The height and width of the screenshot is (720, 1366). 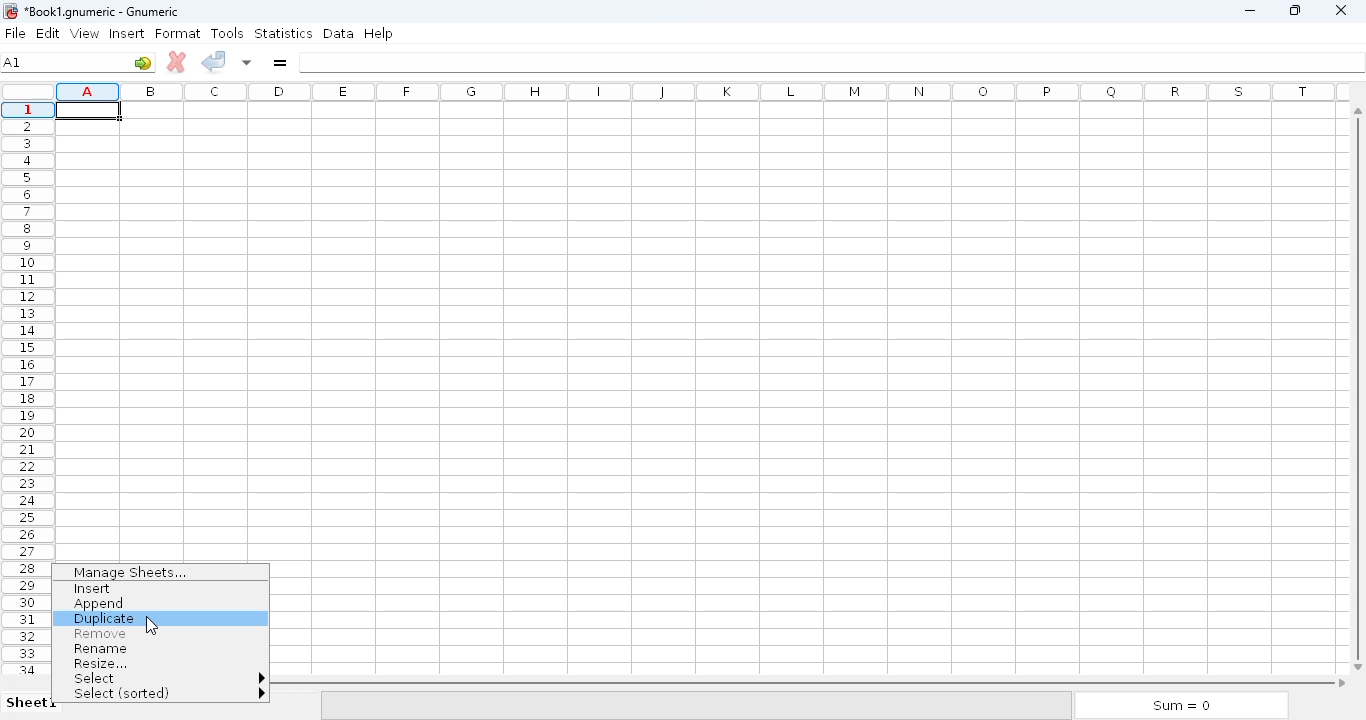 What do you see at coordinates (143, 62) in the screenshot?
I see `go-to` at bounding box center [143, 62].